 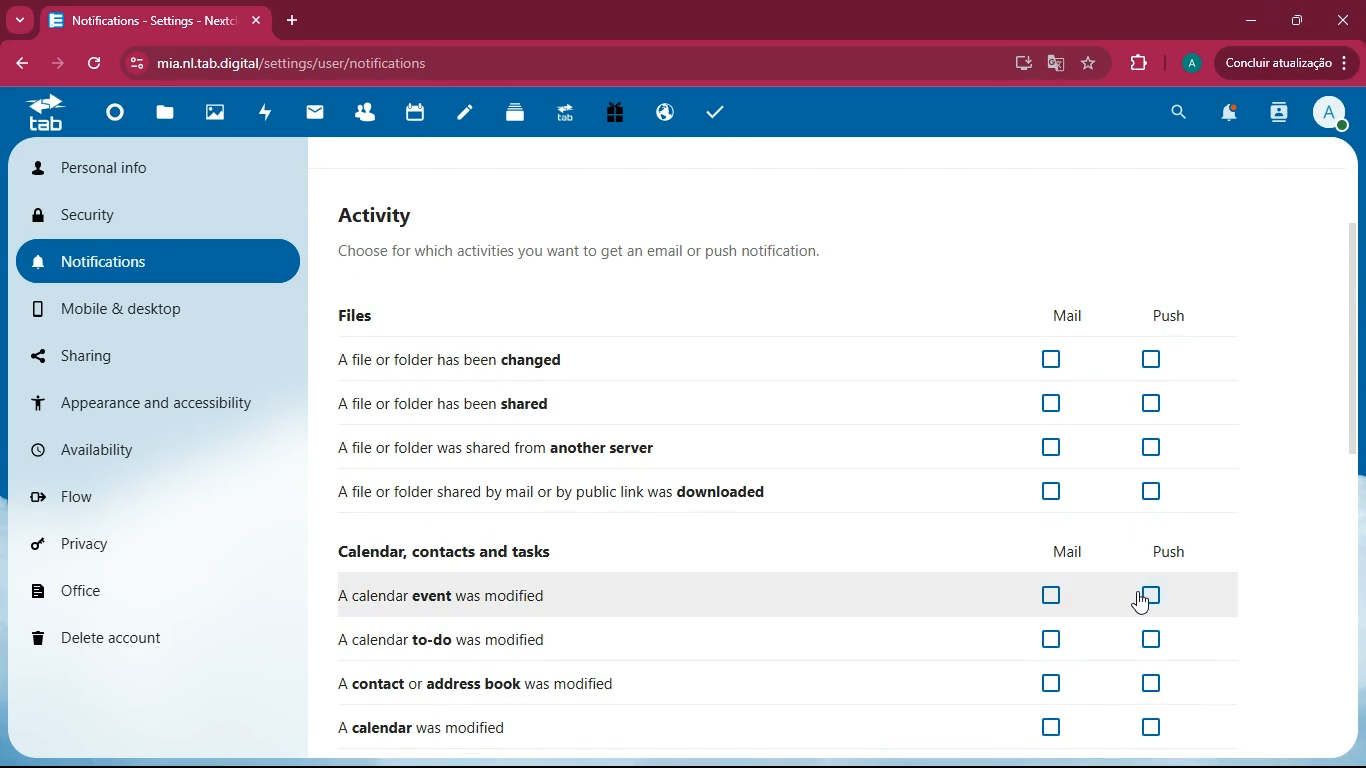 What do you see at coordinates (353, 317) in the screenshot?
I see `Files` at bounding box center [353, 317].